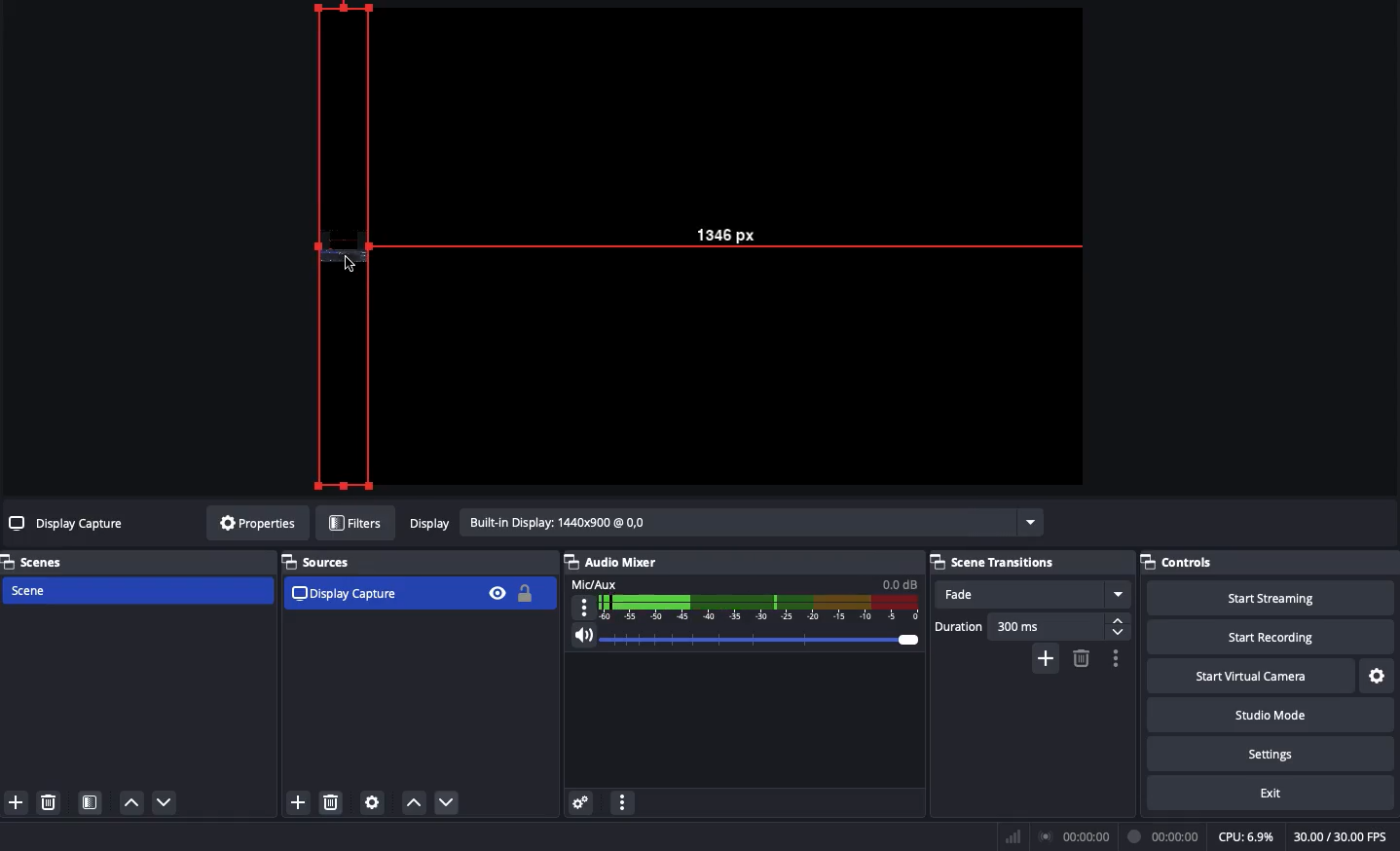 The width and height of the screenshot is (1400, 851). What do you see at coordinates (497, 592) in the screenshot?
I see `Visible` at bounding box center [497, 592].